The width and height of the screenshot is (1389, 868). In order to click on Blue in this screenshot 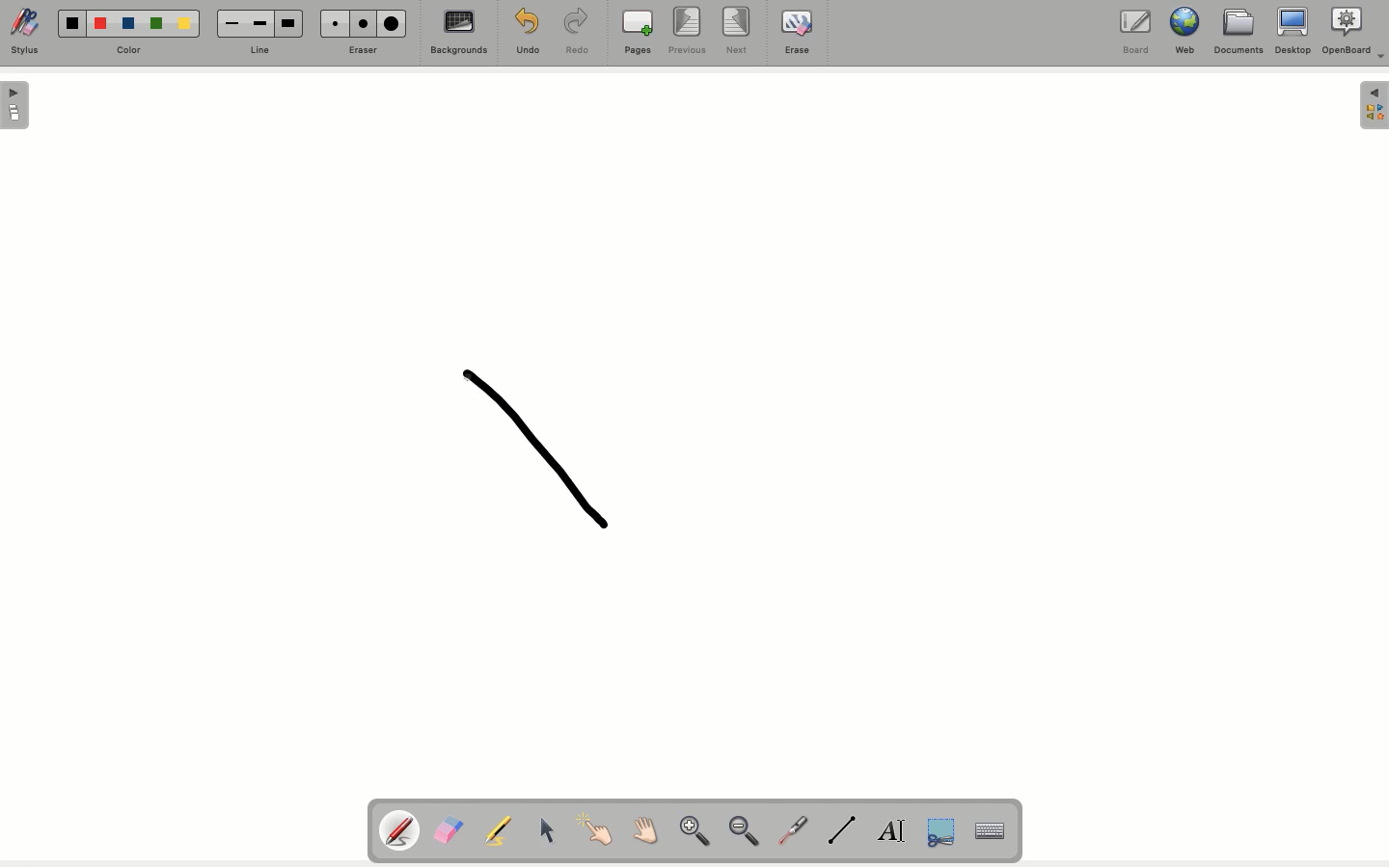, I will do `click(128, 20)`.